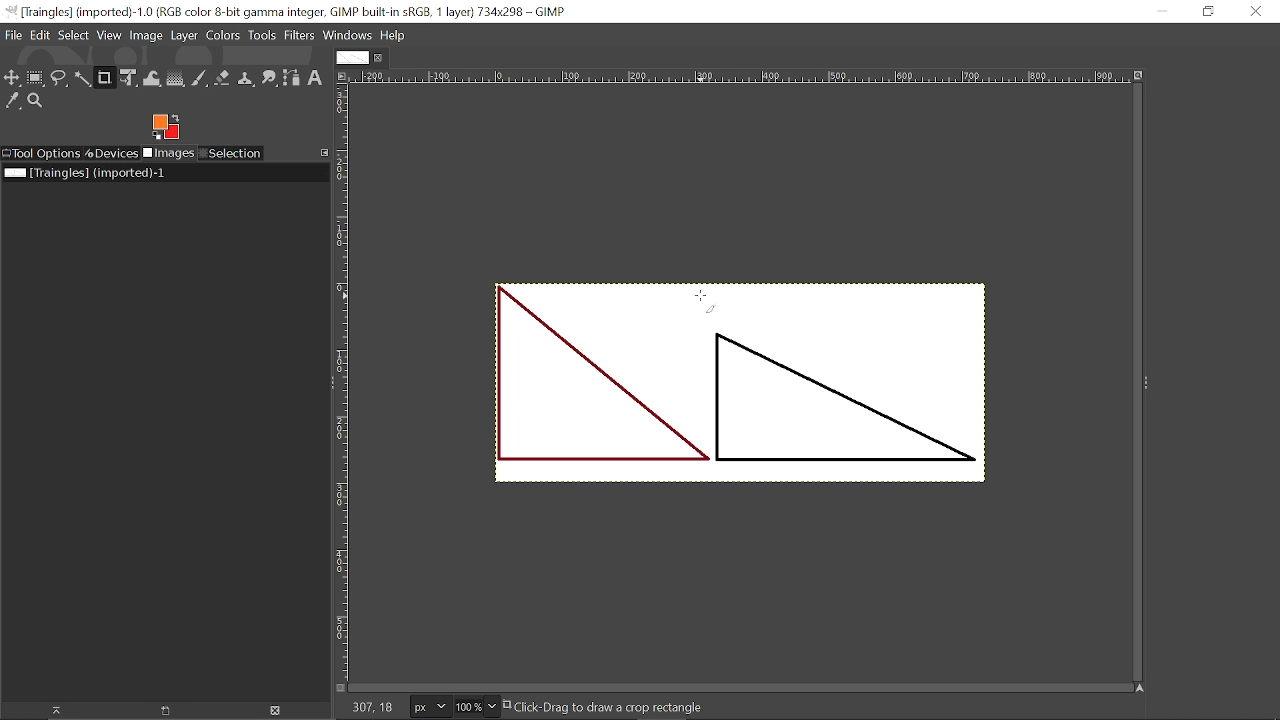 This screenshot has width=1280, height=720. I want to click on Close current tab, so click(379, 57).